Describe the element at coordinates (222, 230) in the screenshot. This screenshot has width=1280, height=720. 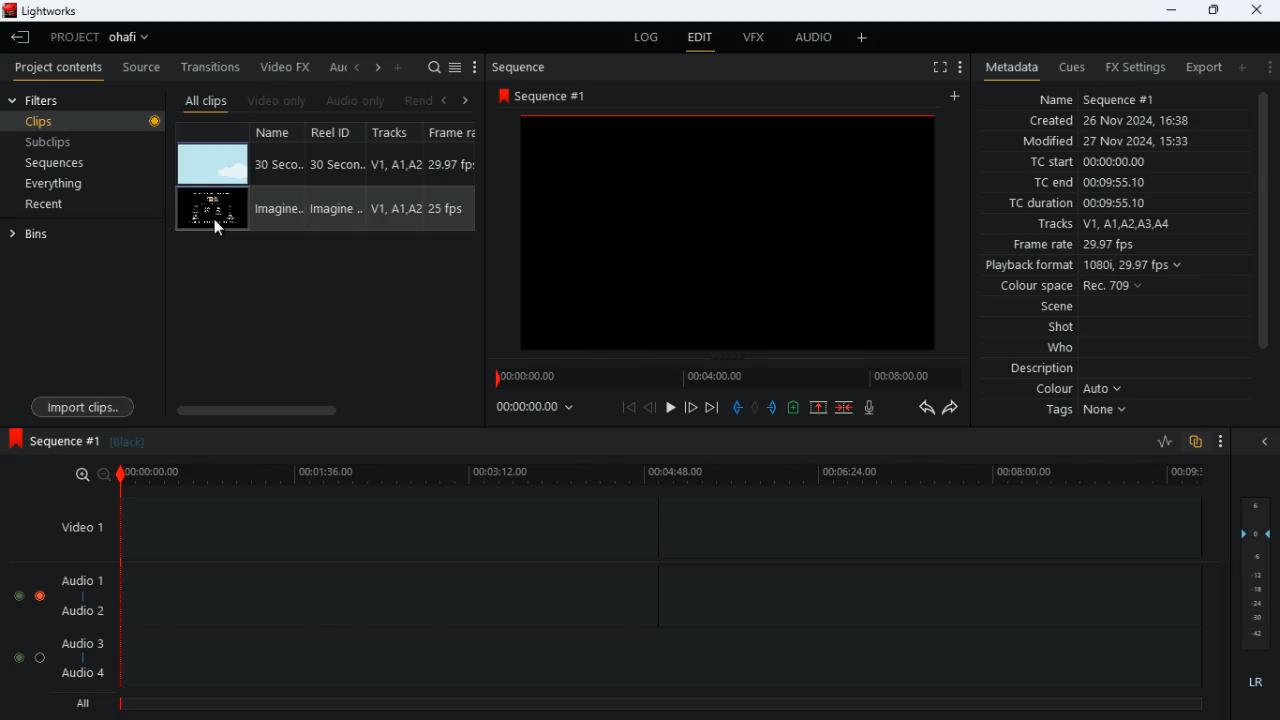
I see `Mouse Cursor` at that location.